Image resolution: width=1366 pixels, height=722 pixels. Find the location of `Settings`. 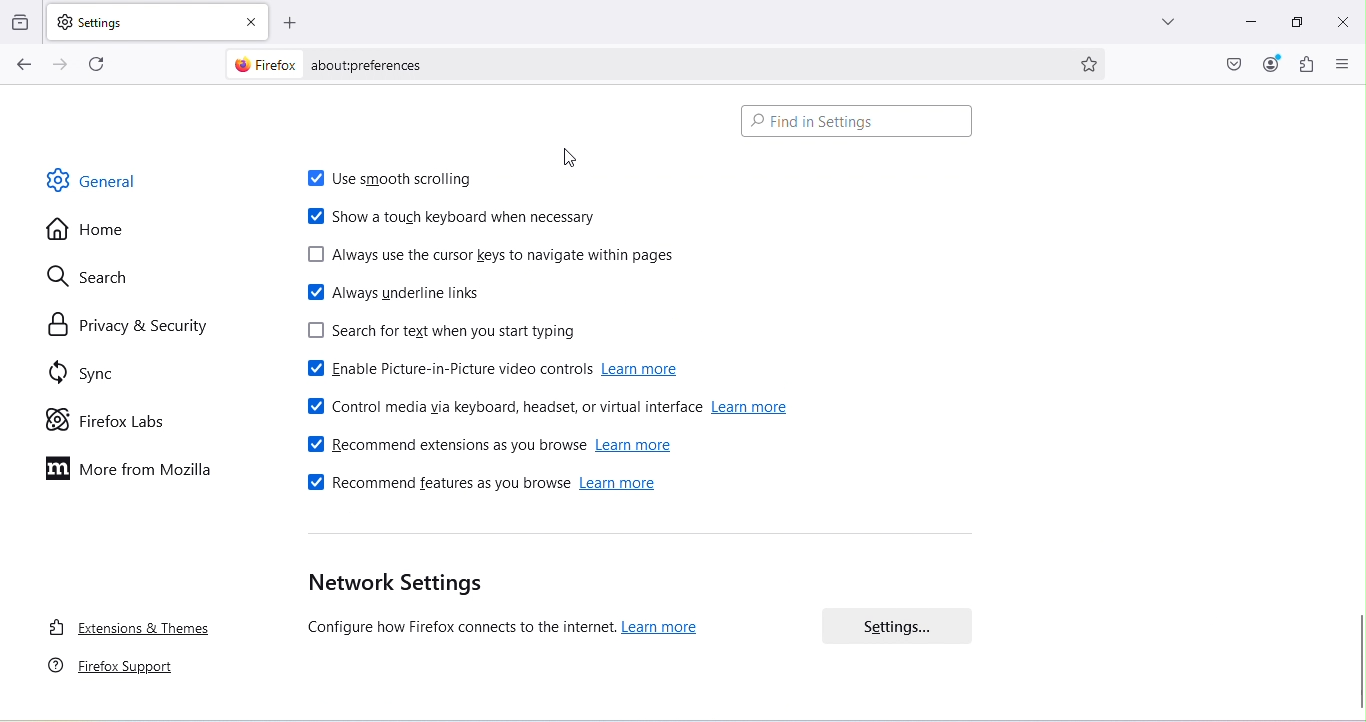

Settings is located at coordinates (906, 623).